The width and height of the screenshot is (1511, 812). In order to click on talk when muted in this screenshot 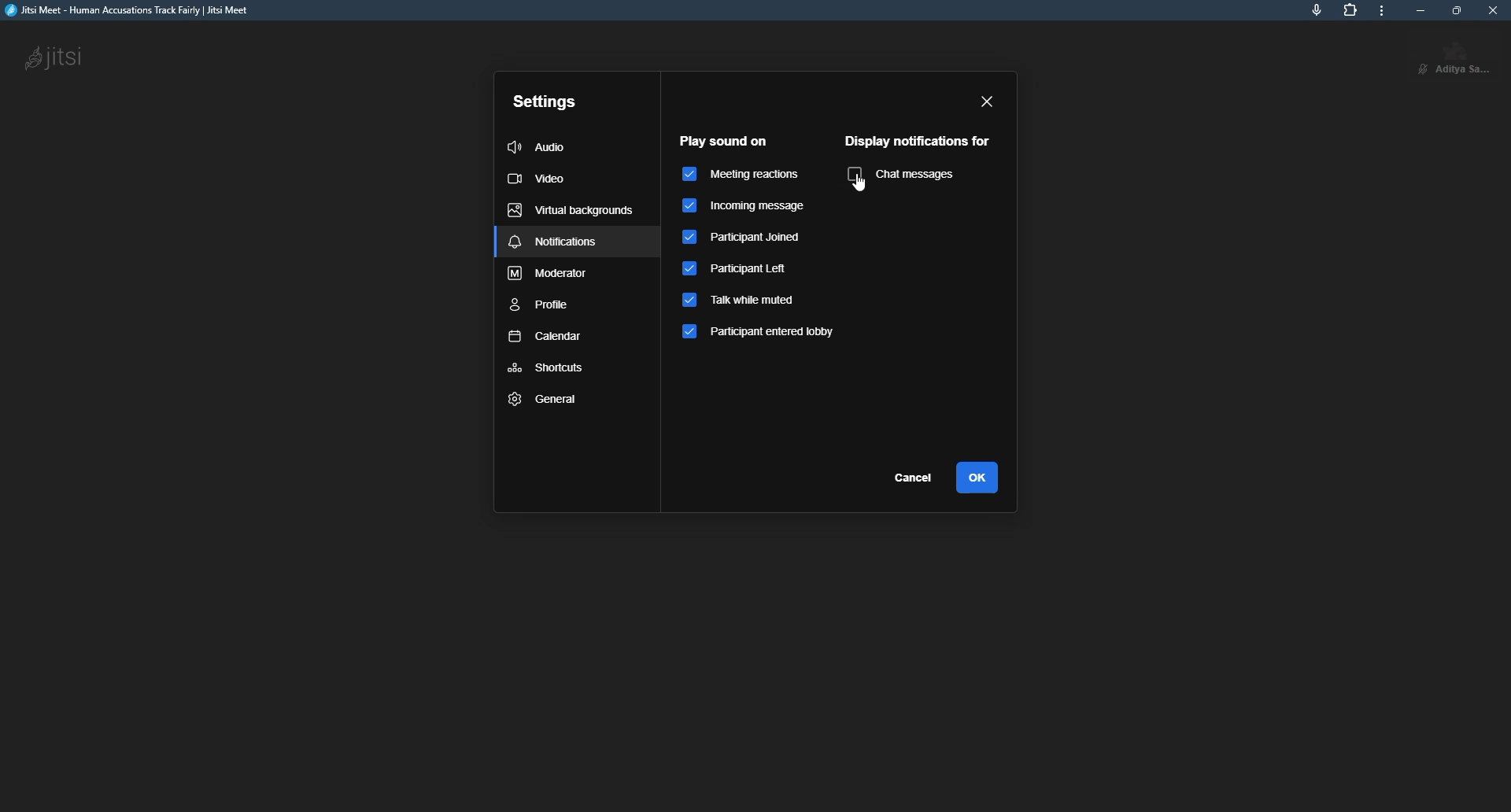, I will do `click(744, 301)`.